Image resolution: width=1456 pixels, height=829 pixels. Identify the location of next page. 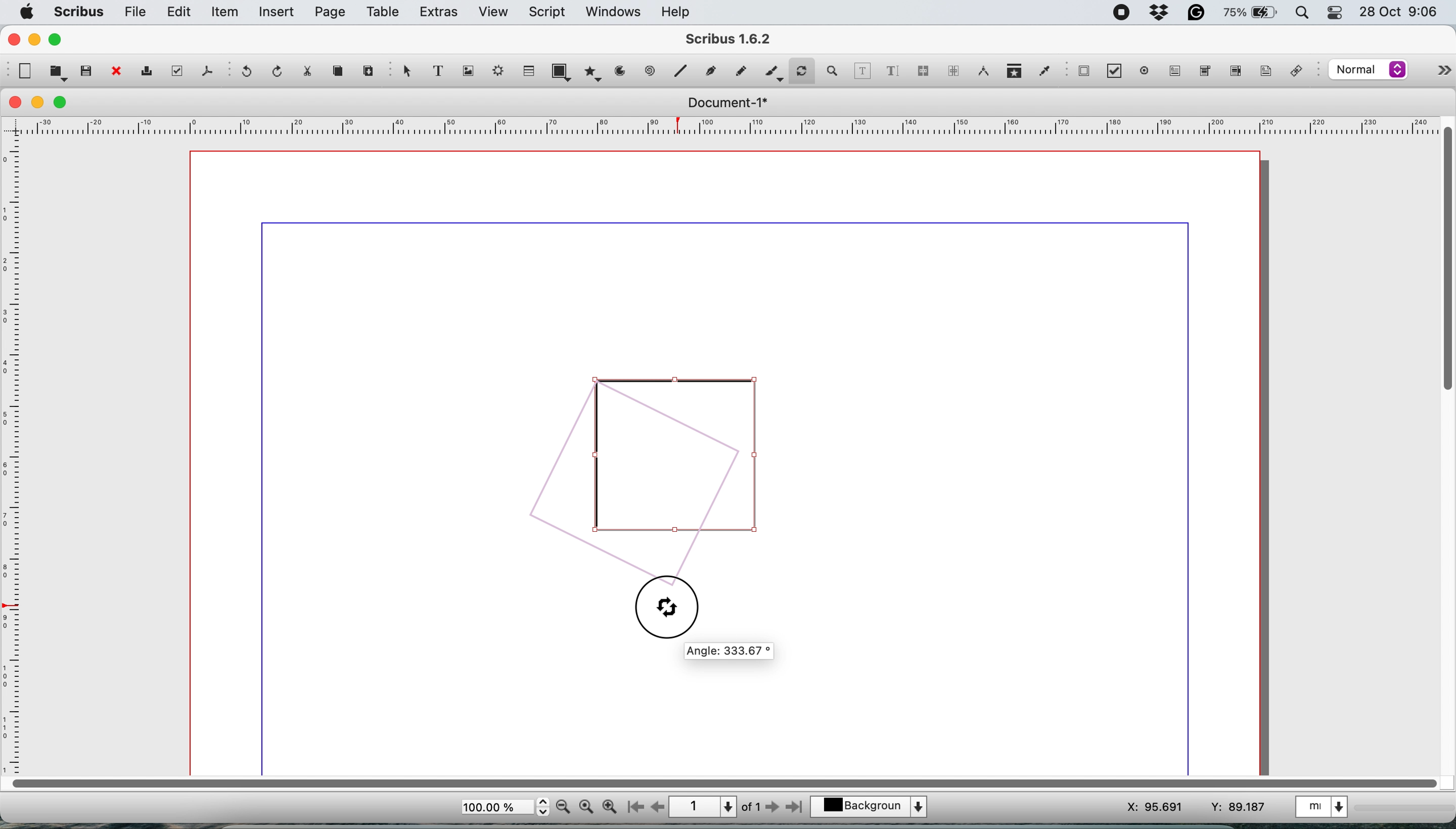
(775, 809).